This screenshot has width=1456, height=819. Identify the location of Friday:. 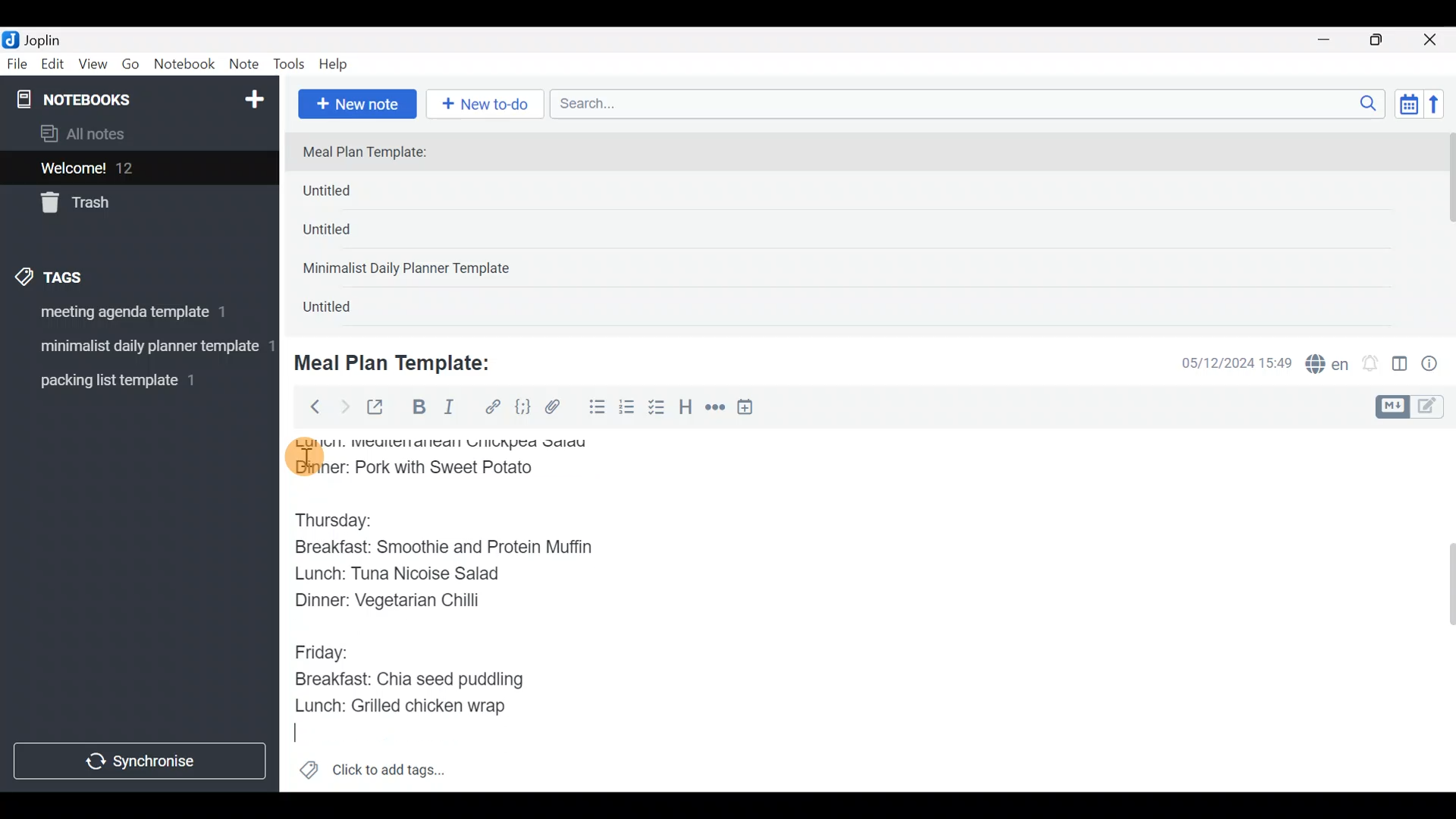
(326, 651).